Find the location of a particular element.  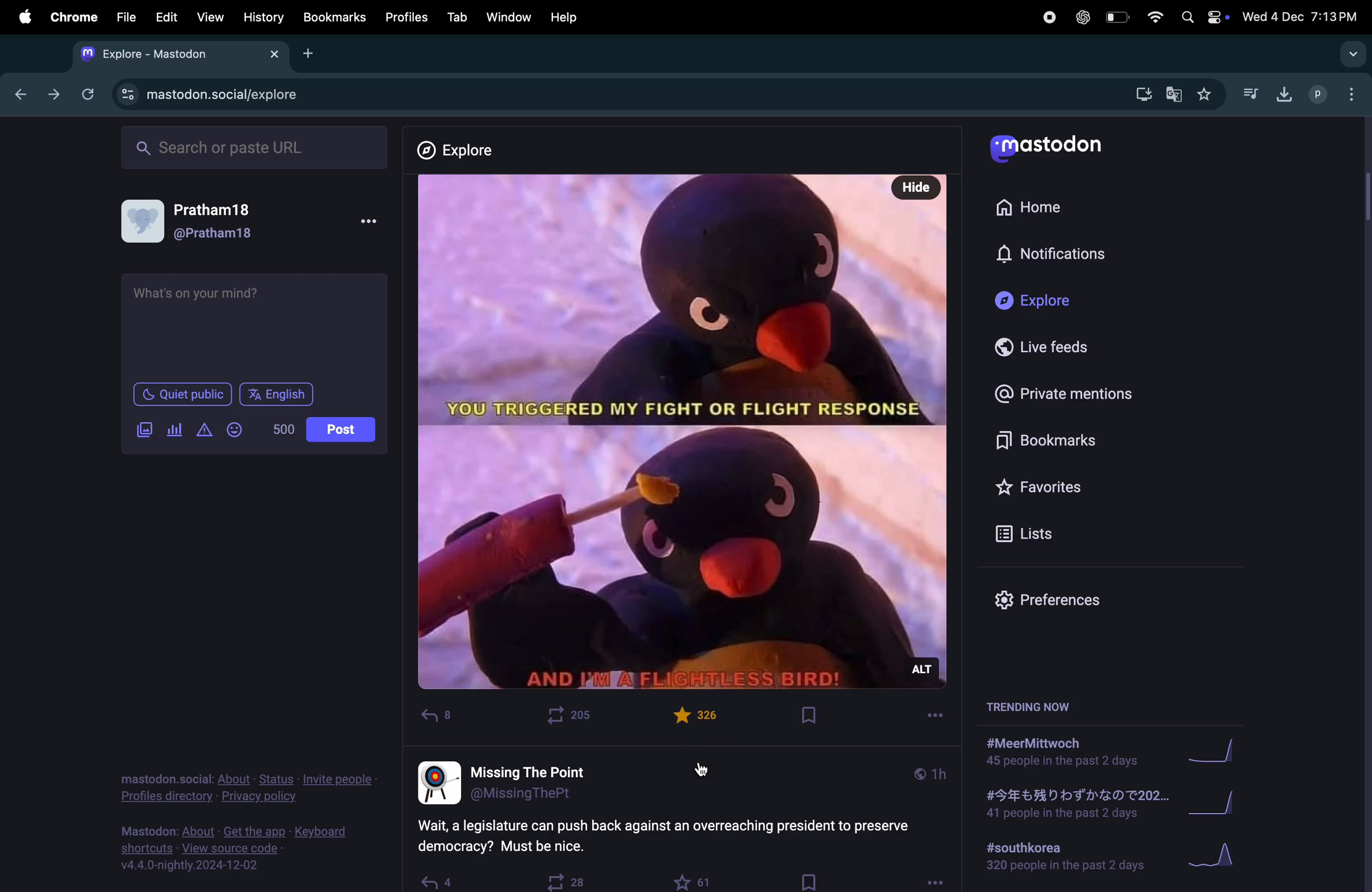

favourites is located at coordinates (1204, 95).